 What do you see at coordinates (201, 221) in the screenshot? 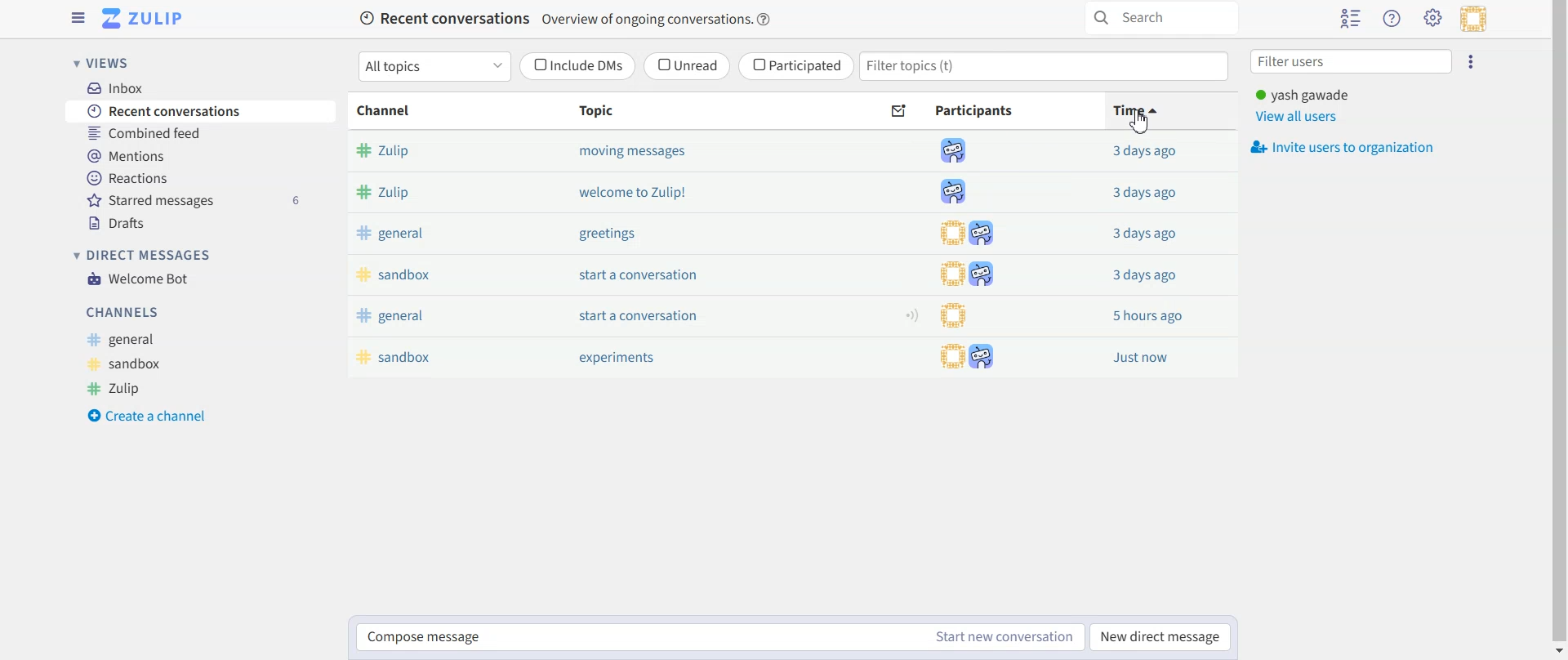
I see `Drafts` at bounding box center [201, 221].